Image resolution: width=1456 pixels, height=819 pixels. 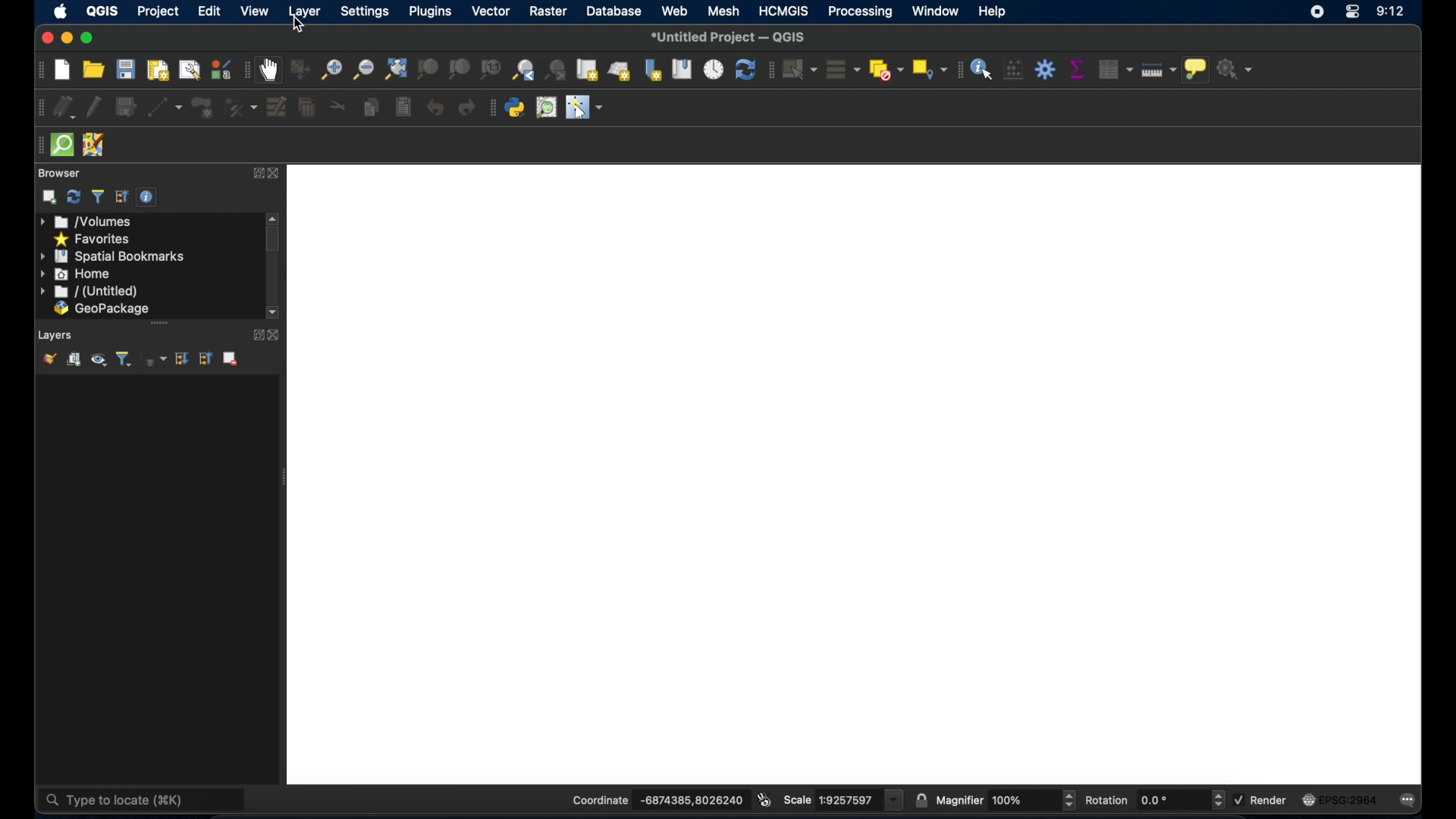 I want to click on scroll arrow, so click(x=275, y=216).